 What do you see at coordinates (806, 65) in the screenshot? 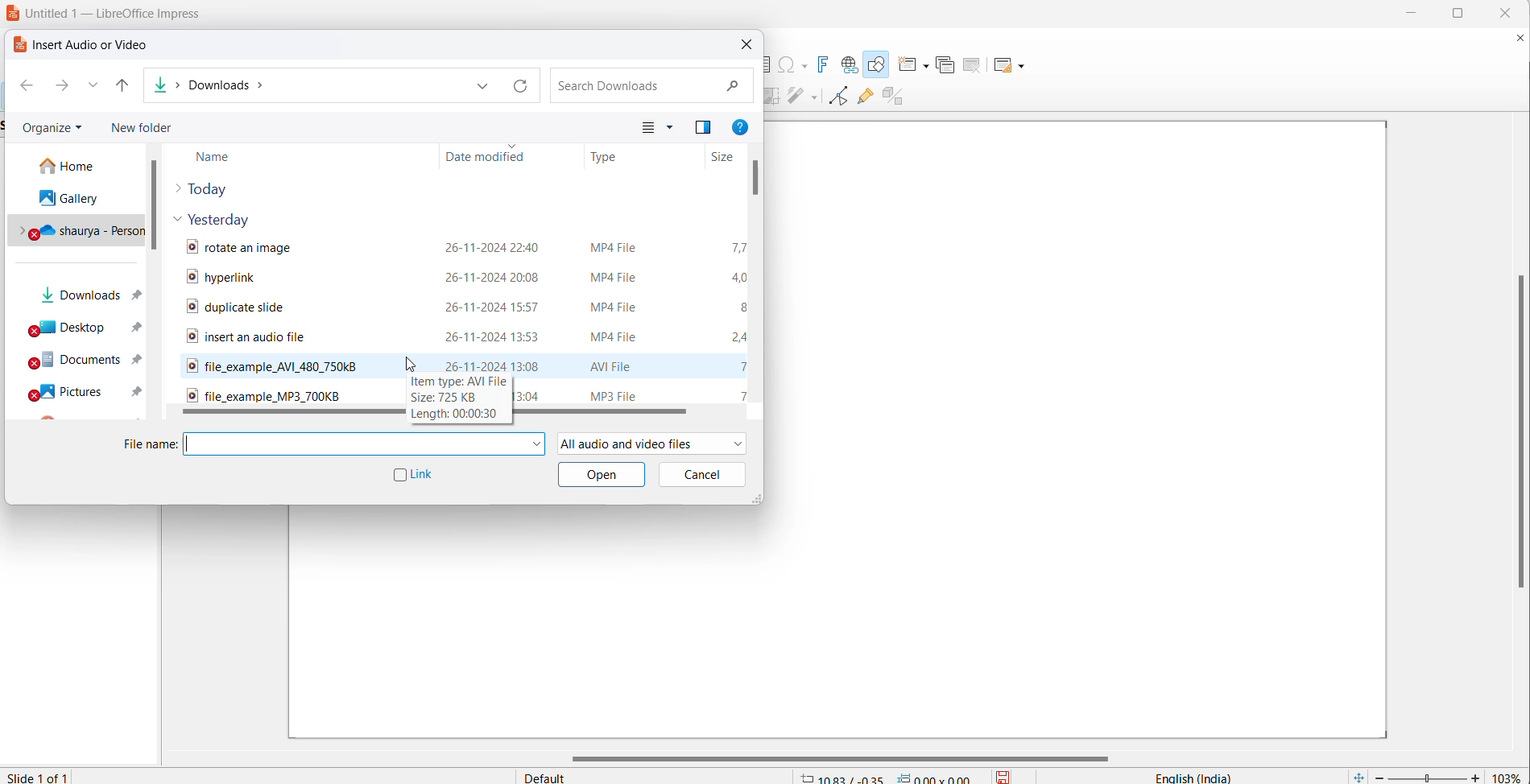
I see `special character options` at bounding box center [806, 65].